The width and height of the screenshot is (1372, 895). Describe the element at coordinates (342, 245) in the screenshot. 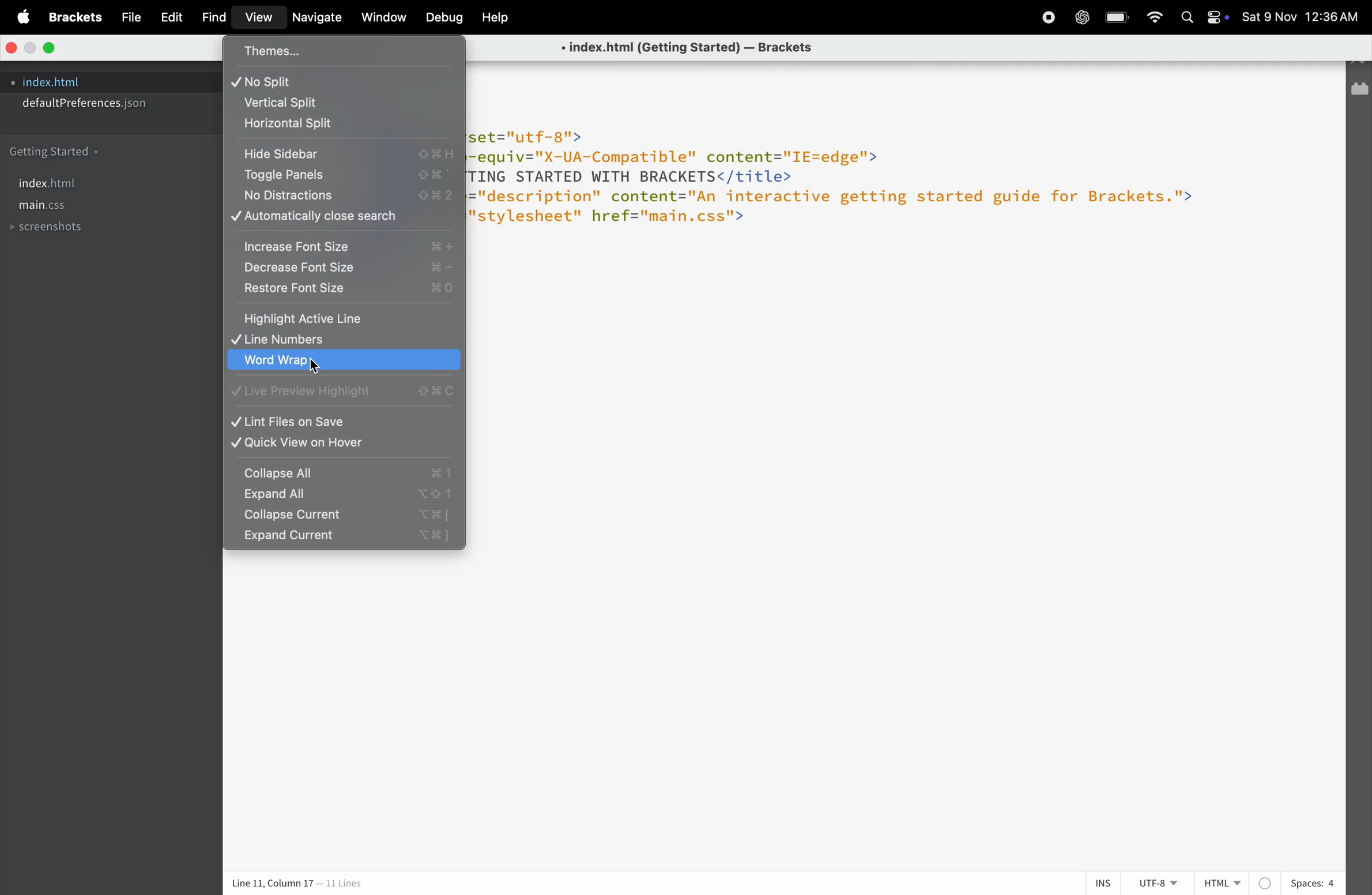

I see `increase font size` at that location.